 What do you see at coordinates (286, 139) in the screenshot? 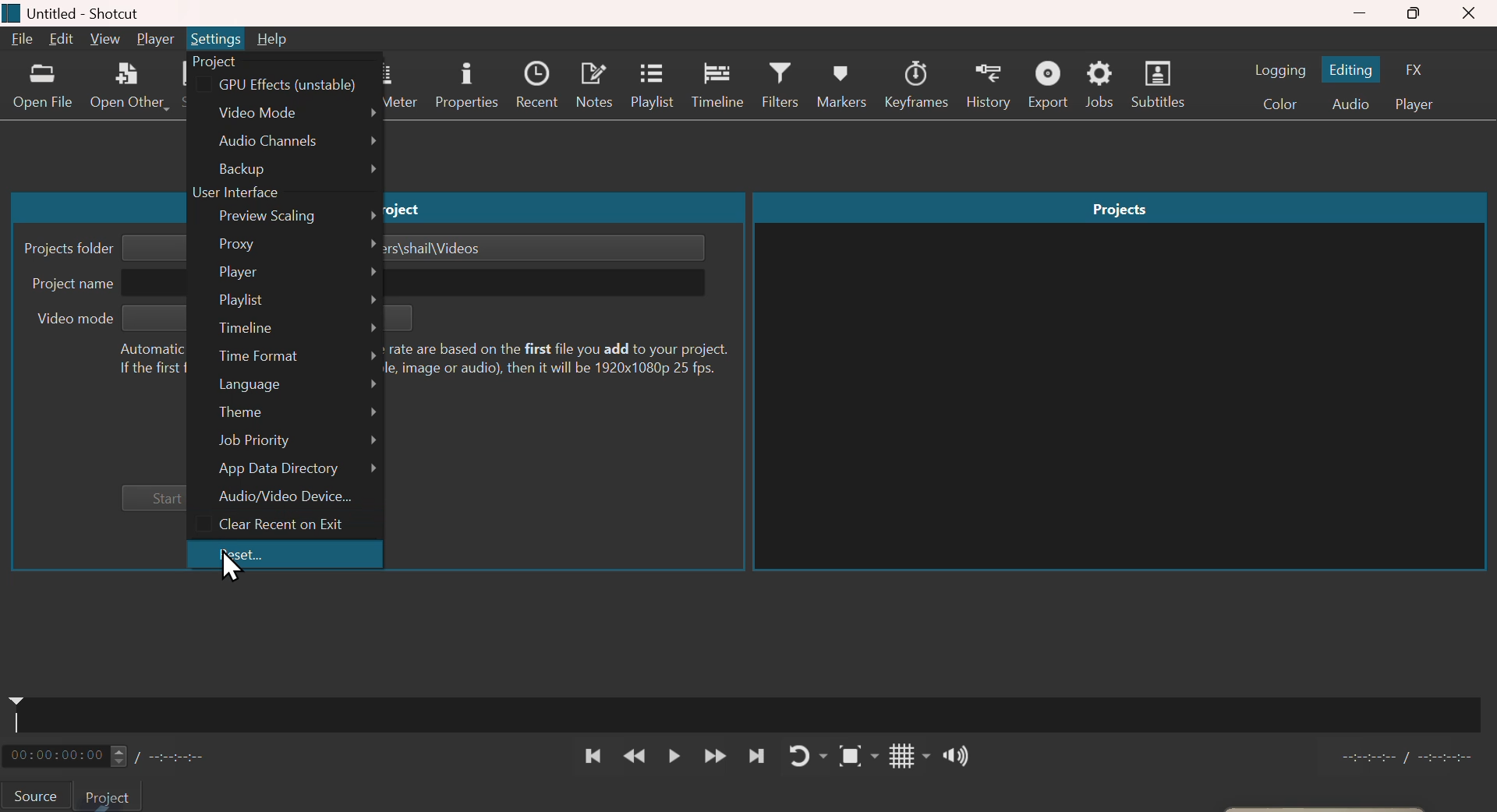
I see `Audio channel` at bounding box center [286, 139].